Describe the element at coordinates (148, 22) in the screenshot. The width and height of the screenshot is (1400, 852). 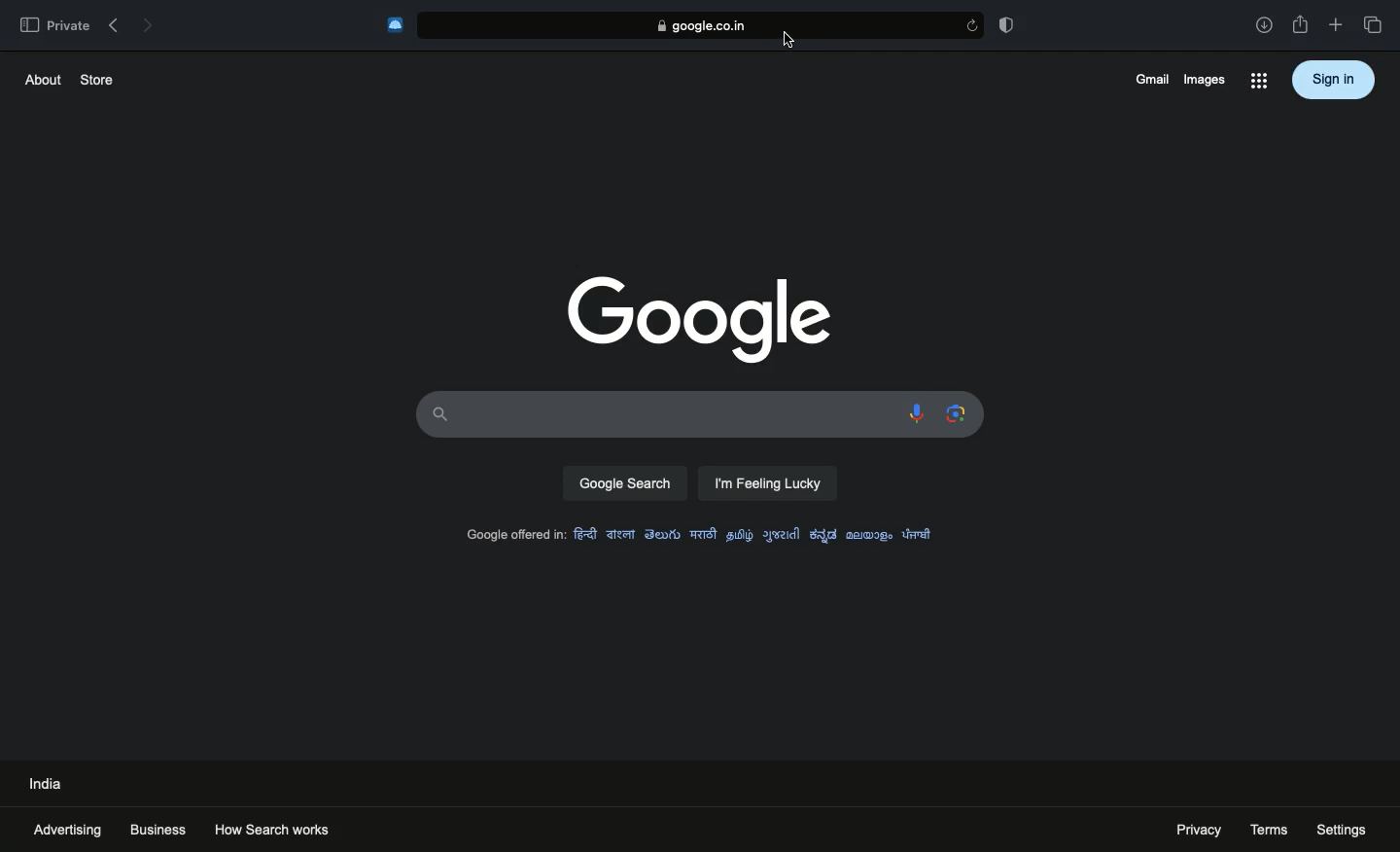
I see `next` at that location.